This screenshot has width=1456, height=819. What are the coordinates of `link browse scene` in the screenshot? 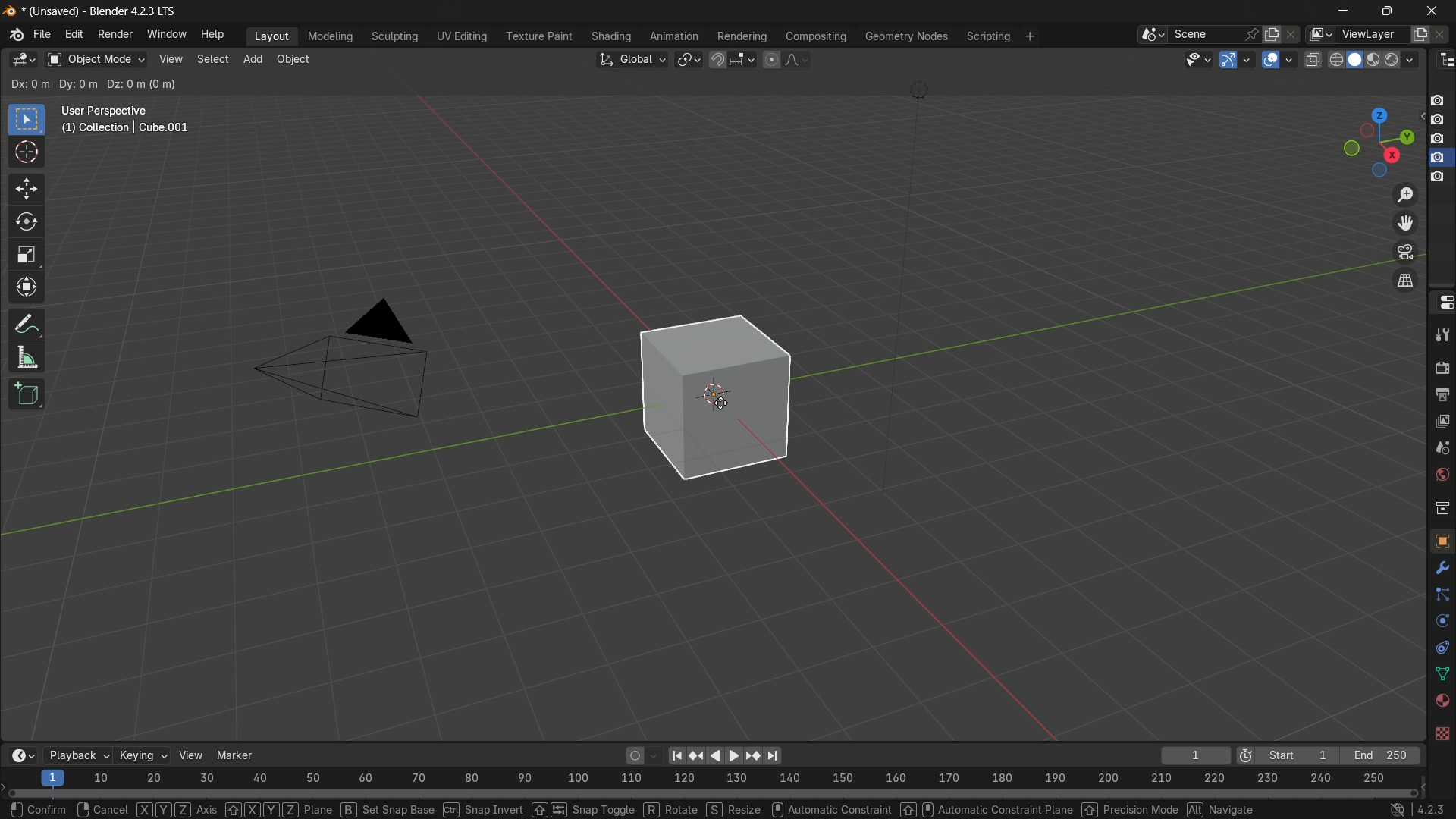 It's located at (1147, 34).